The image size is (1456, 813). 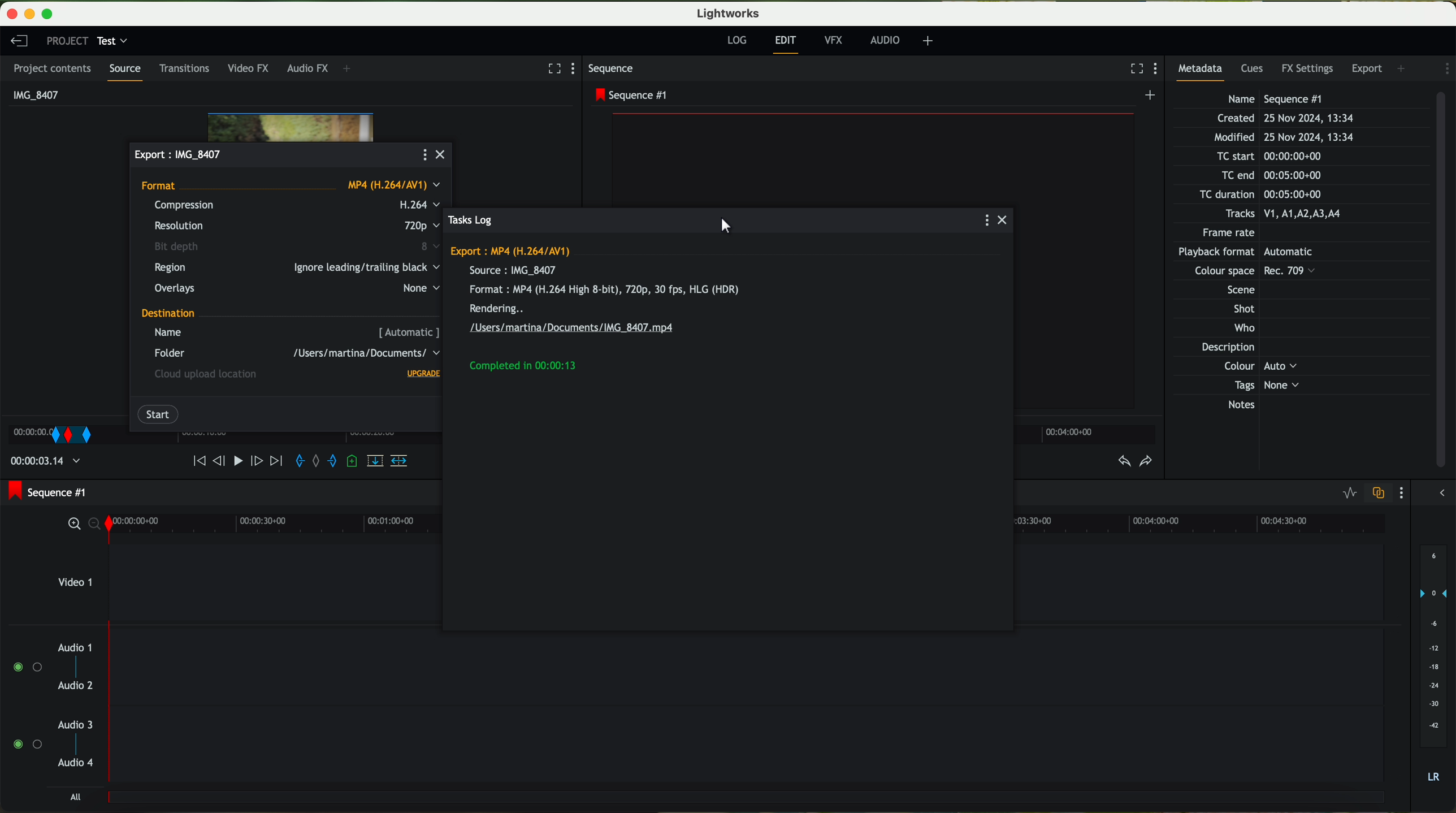 I want to click on delete/cut, so click(x=981, y=461).